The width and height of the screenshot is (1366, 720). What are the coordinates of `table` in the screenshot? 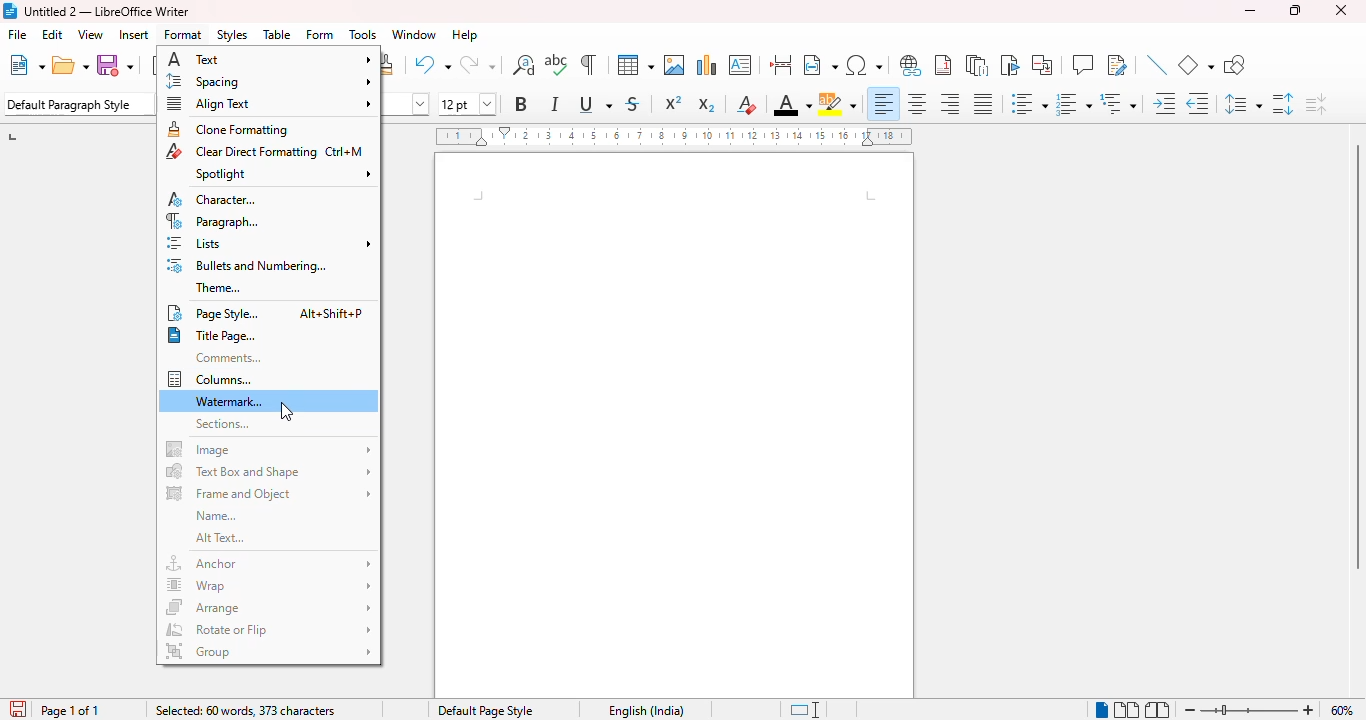 It's located at (277, 34).